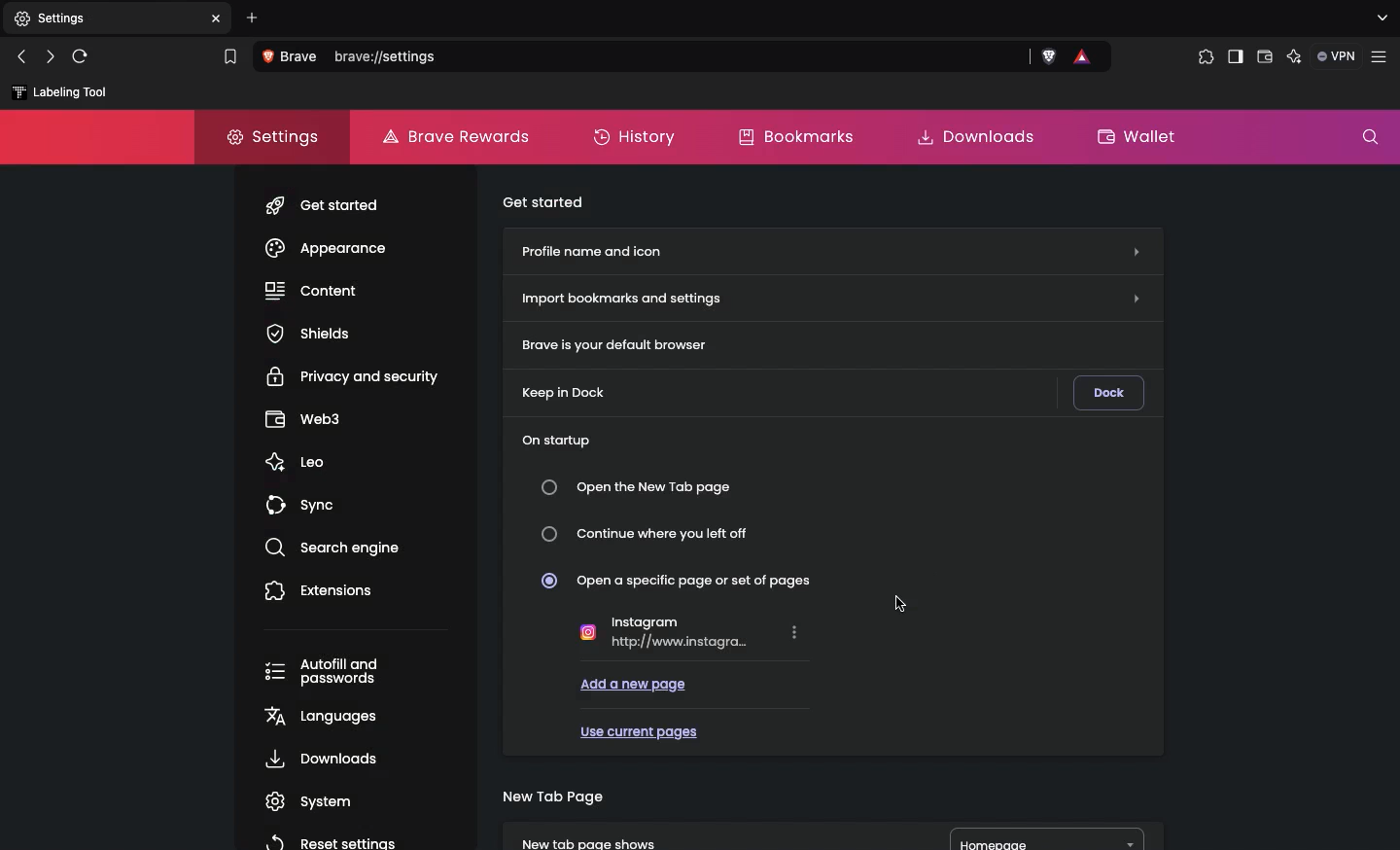 The width and height of the screenshot is (1400, 850). What do you see at coordinates (330, 673) in the screenshot?
I see `Autofill and passwords` at bounding box center [330, 673].